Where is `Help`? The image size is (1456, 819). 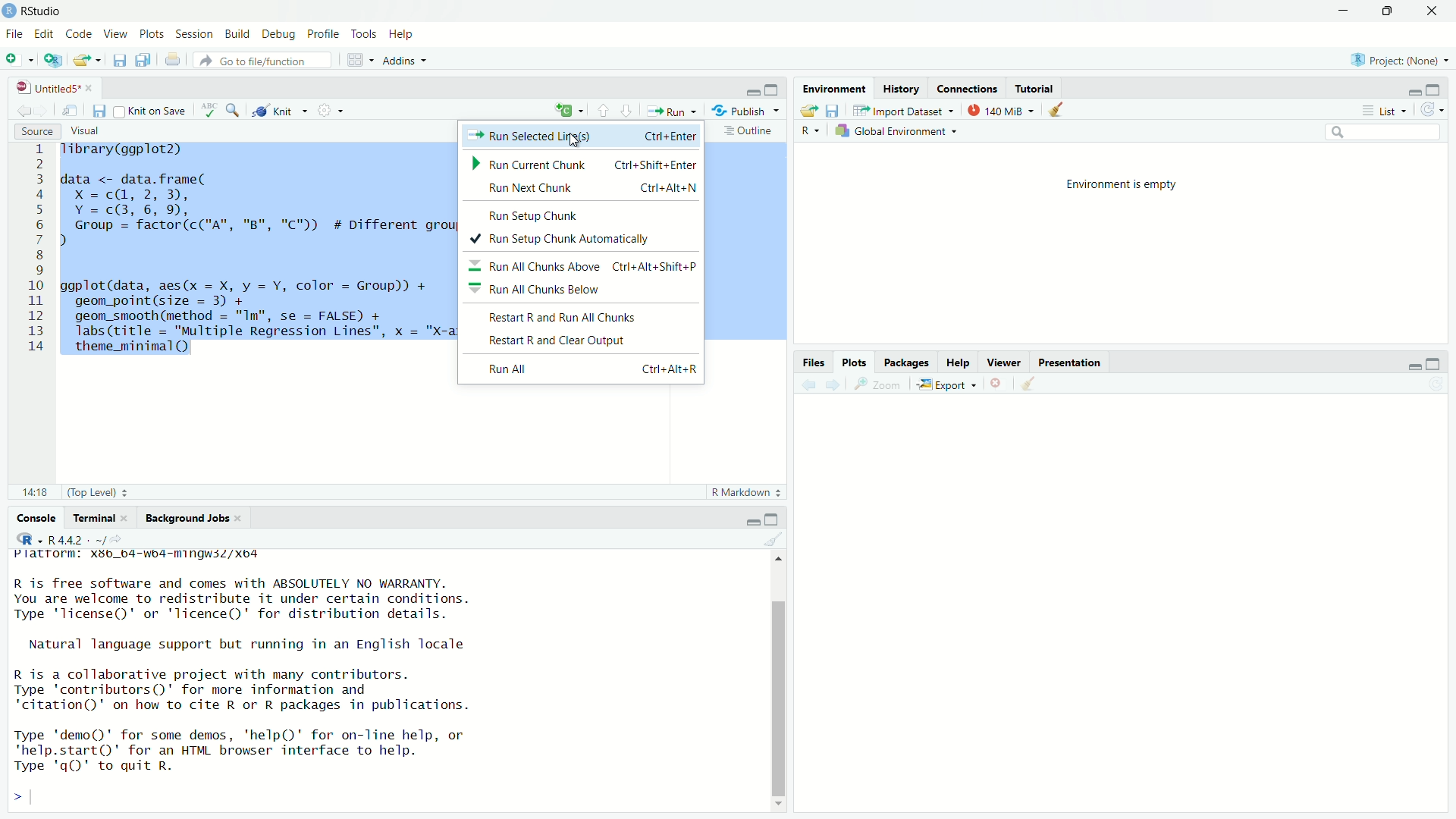
Help is located at coordinates (959, 363).